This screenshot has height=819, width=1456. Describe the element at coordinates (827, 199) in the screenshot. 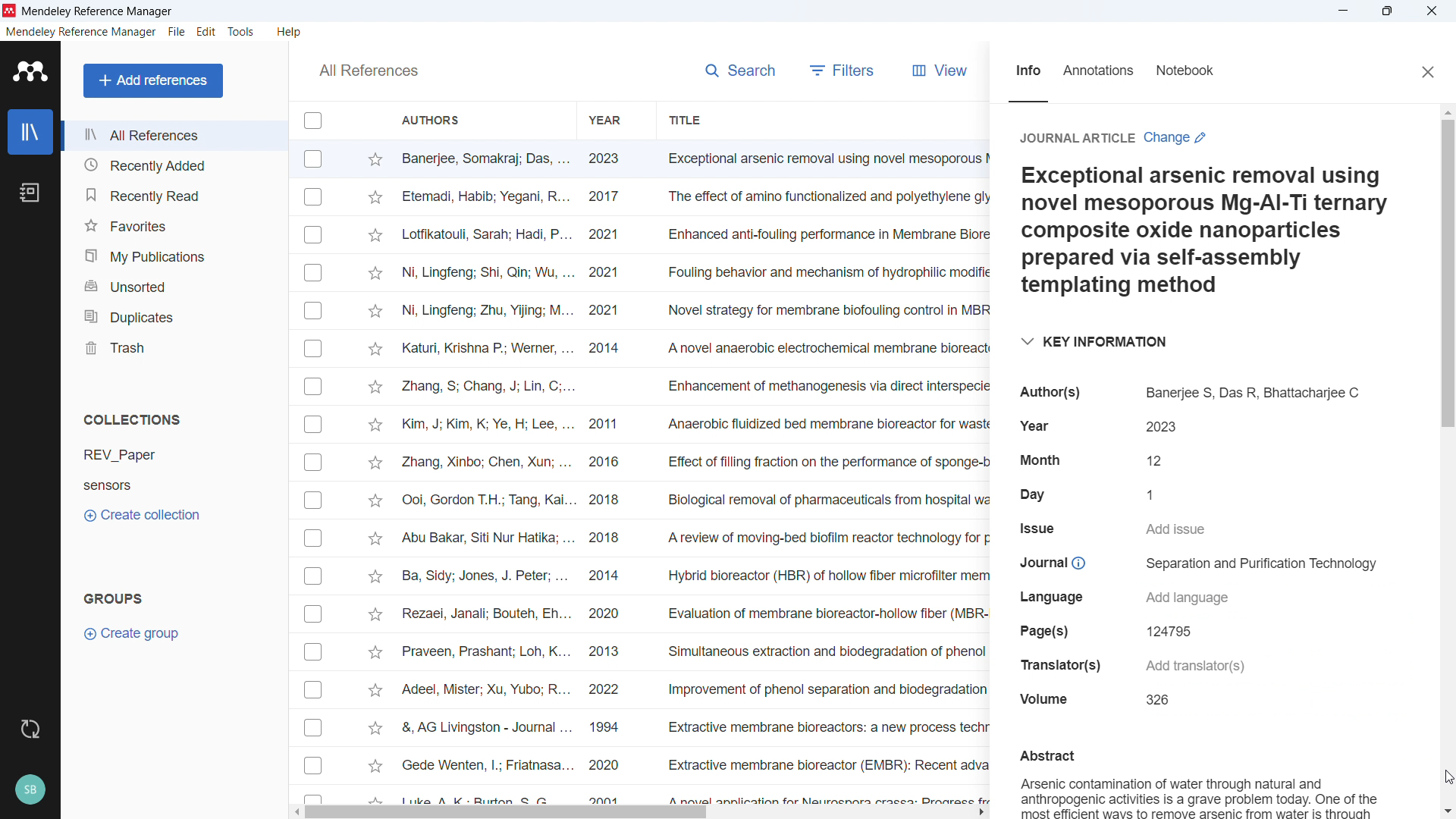

I see `the effect of amino functionalized and polyethylene glycol grafted nanodiamo` at that location.